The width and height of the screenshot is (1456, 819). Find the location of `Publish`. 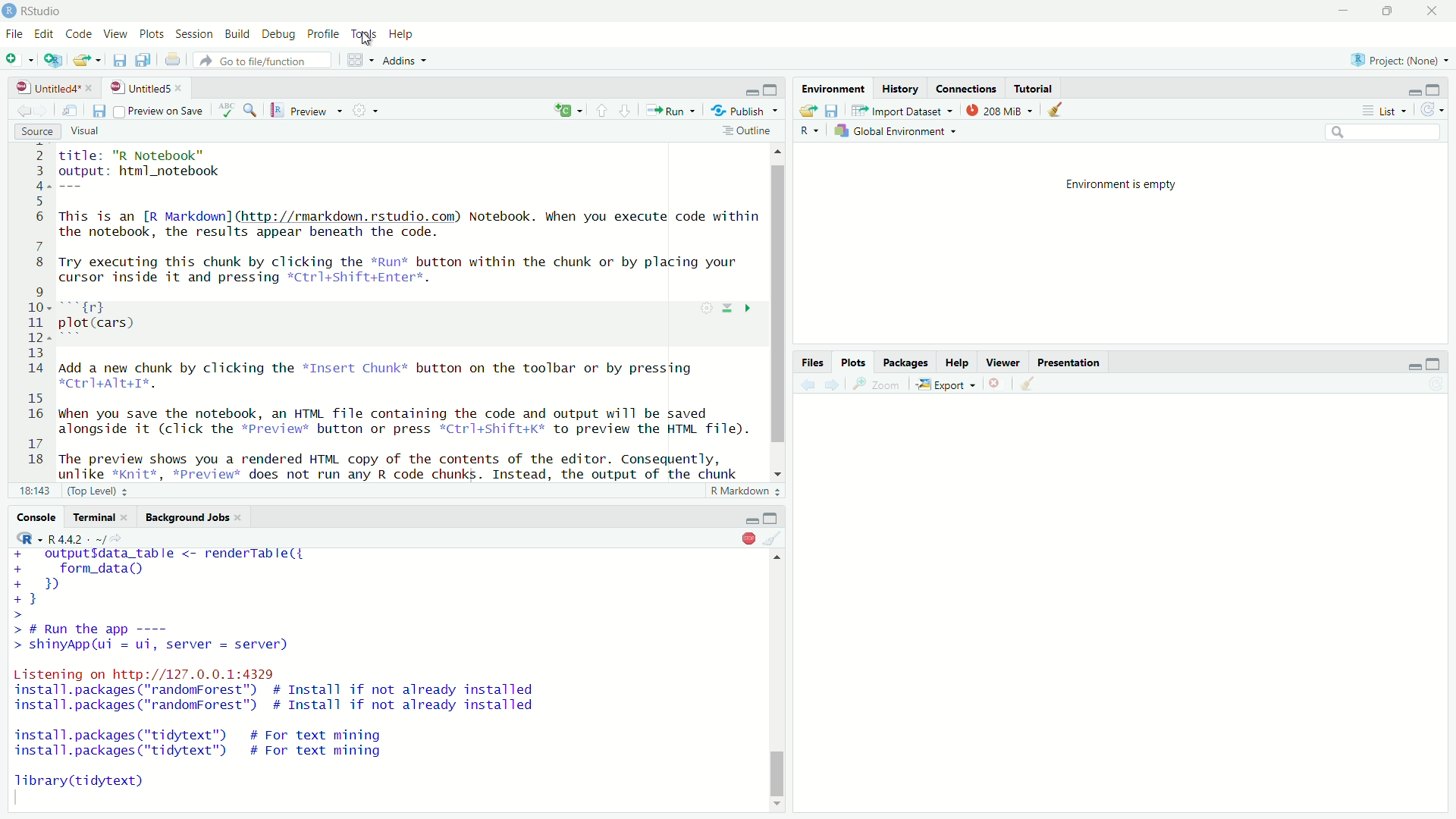

Publish is located at coordinates (745, 111).